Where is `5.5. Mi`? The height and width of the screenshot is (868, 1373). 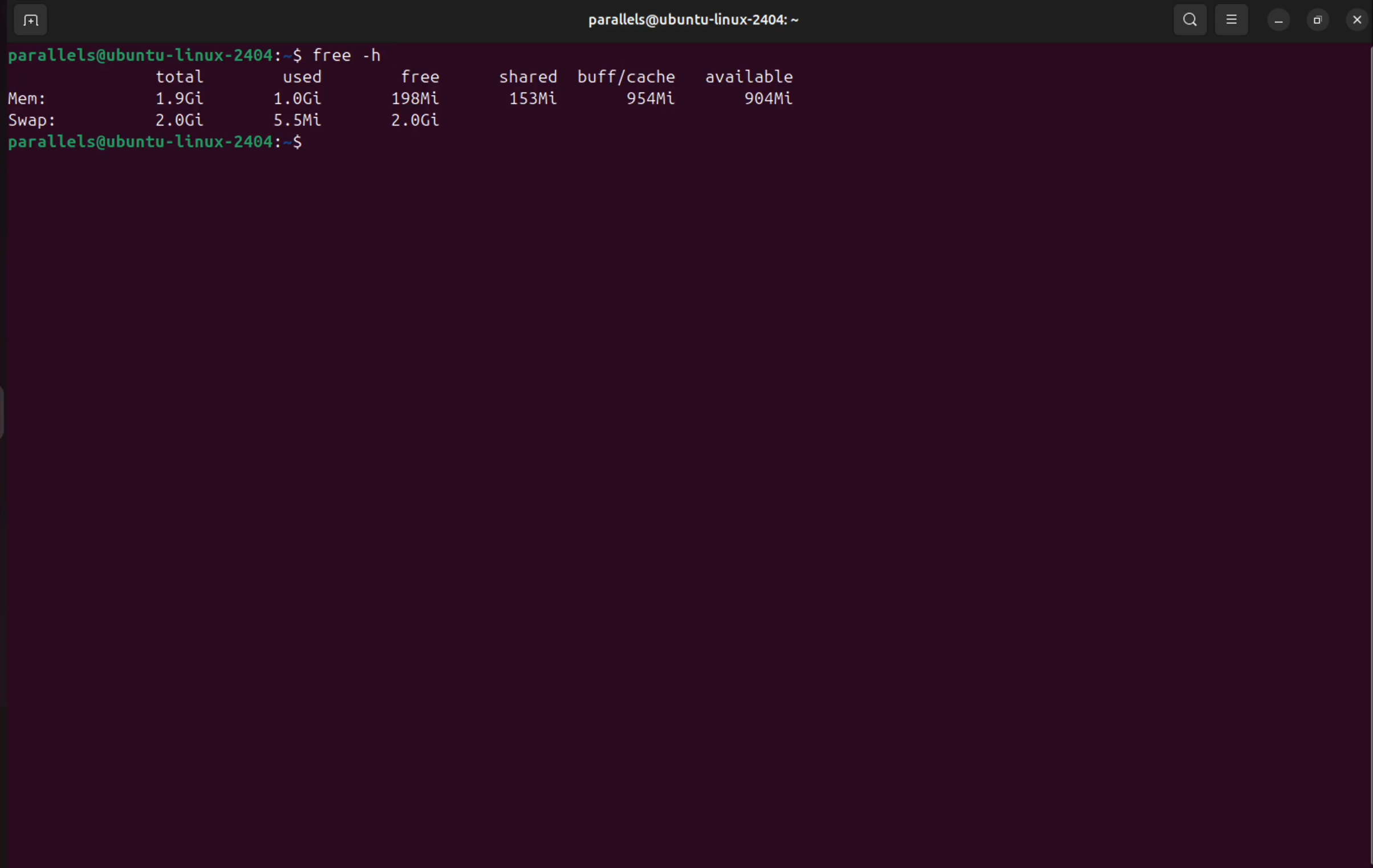
5.5. Mi is located at coordinates (297, 121).